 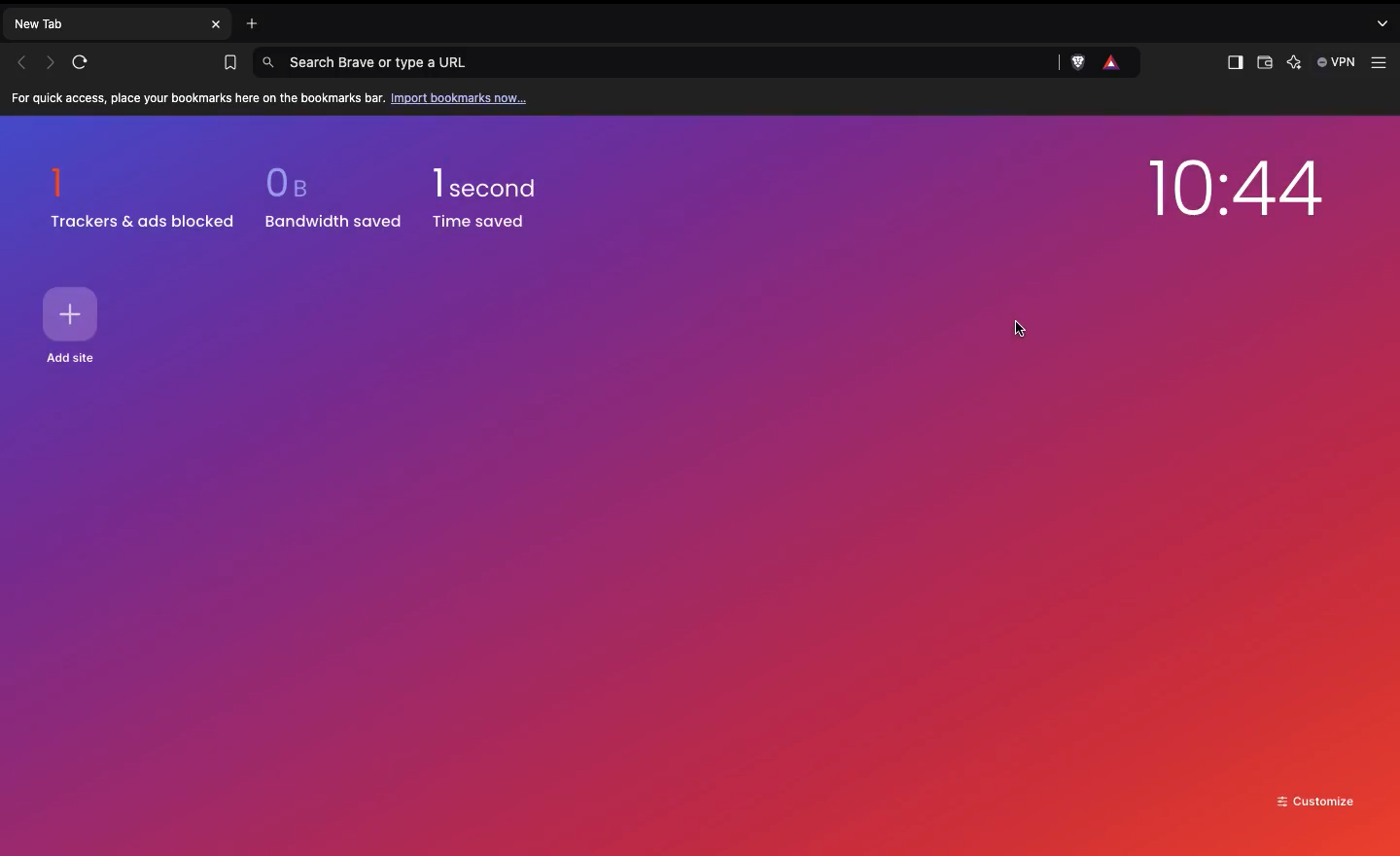 What do you see at coordinates (143, 197) in the screenshot?
I see `1 trackers & ads blocked` at bounding box center [143, 197].